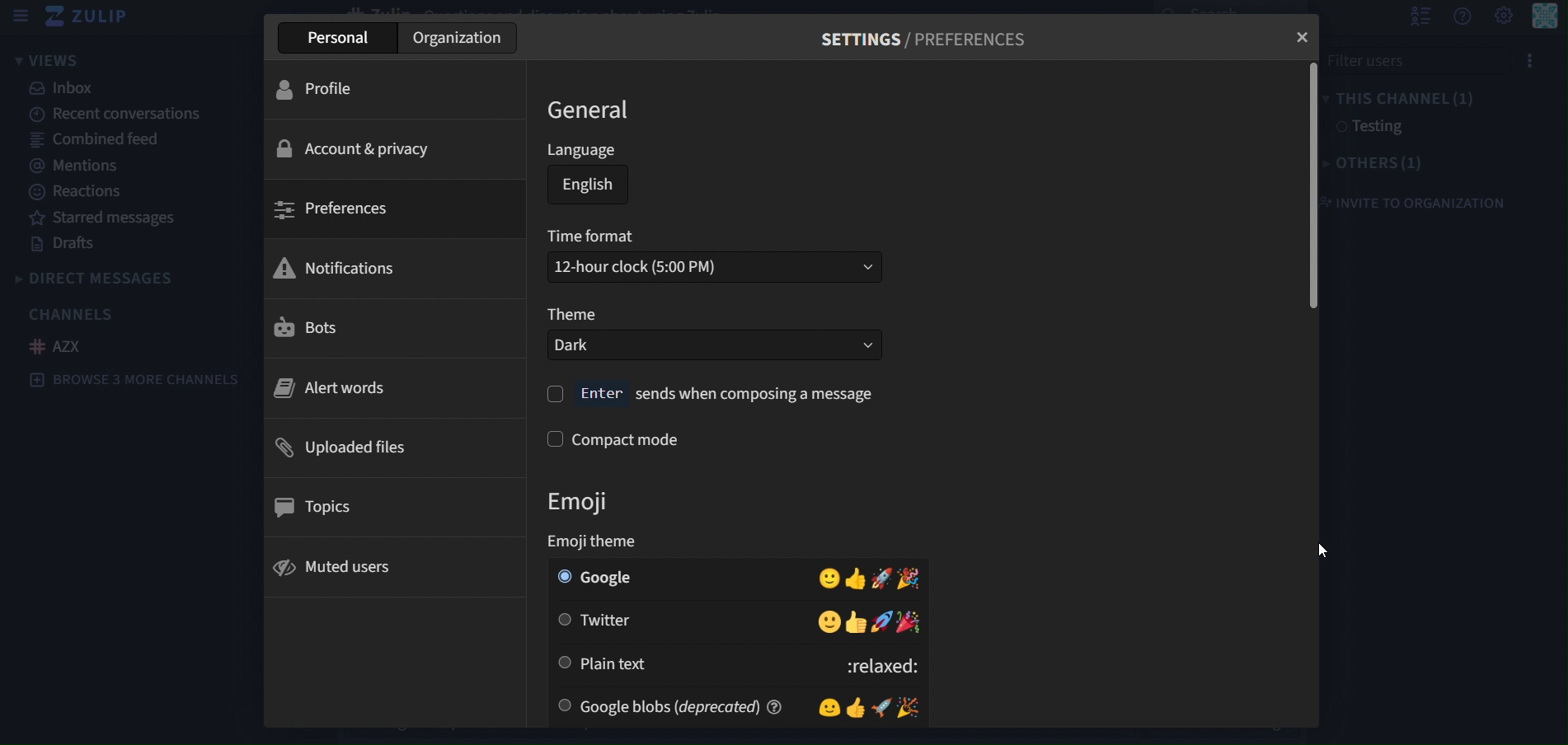 The image size is (1568, 745). What do you see at coordinates (107, 277) in the screenshot?
I see `direct messages` at bounding box center [107, 277].